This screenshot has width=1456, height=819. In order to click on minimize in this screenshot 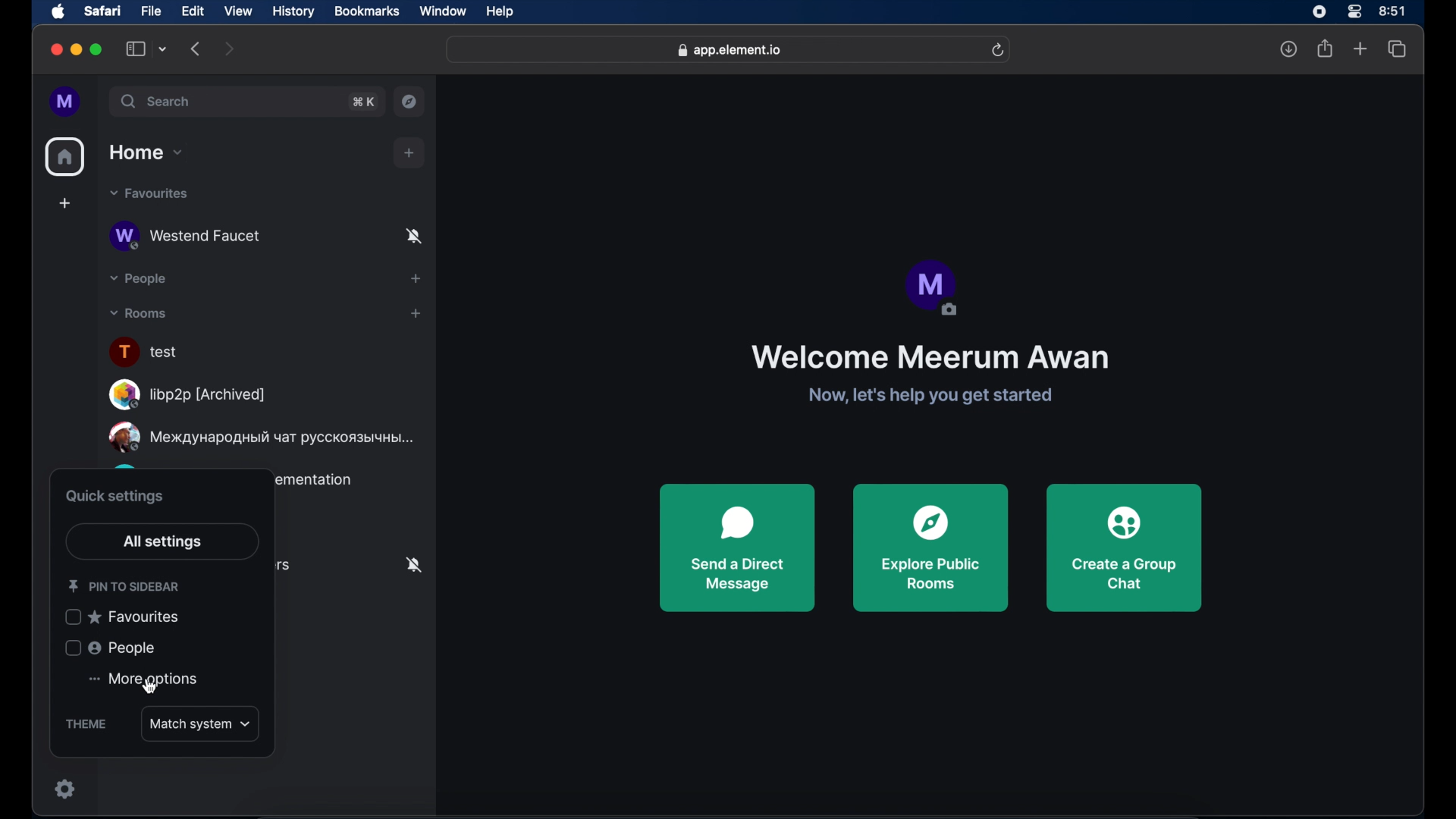, I will do `click(77, 49)`.